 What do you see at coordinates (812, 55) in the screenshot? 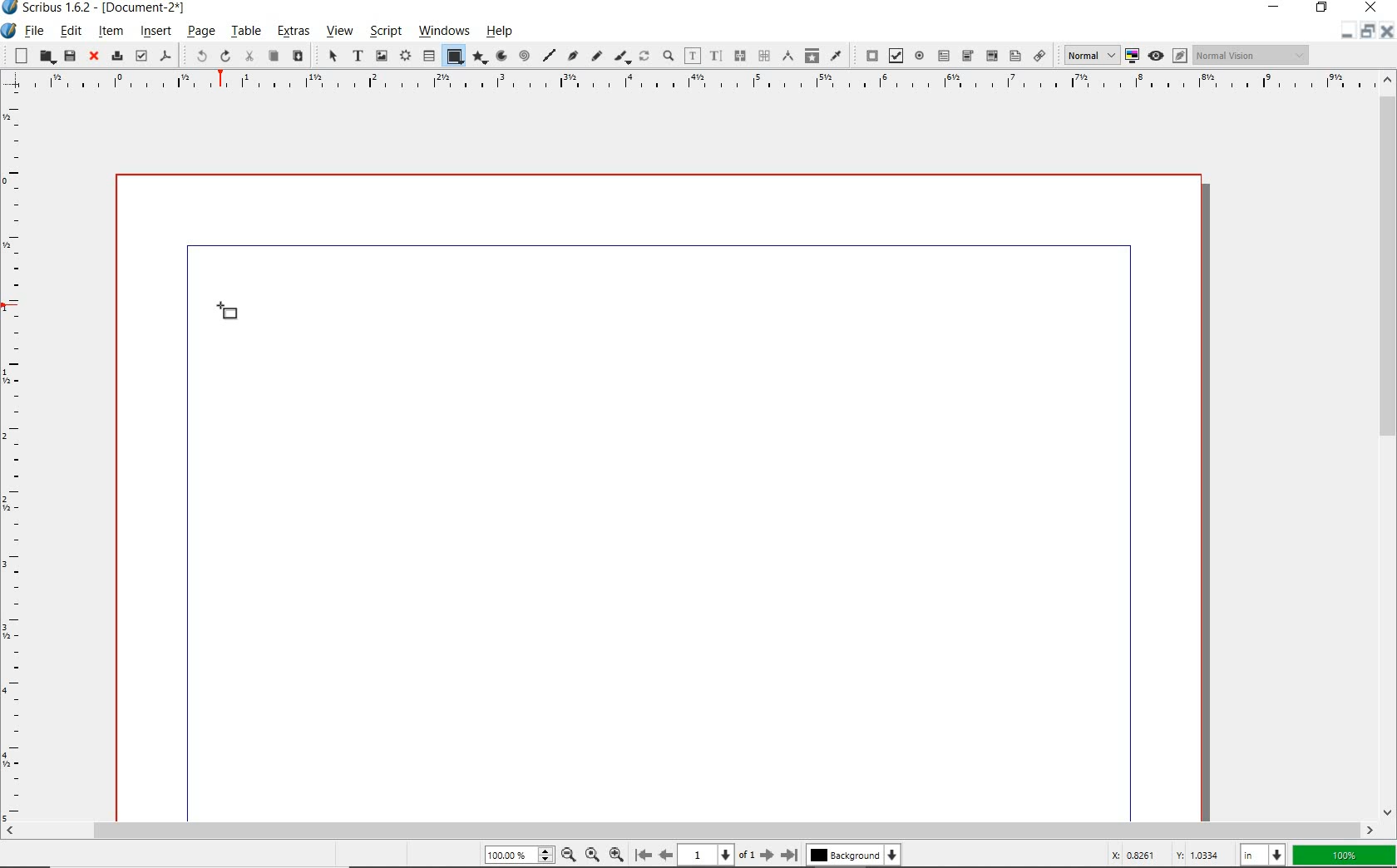
I see `copy item properties` at bounding box center [812, 55].